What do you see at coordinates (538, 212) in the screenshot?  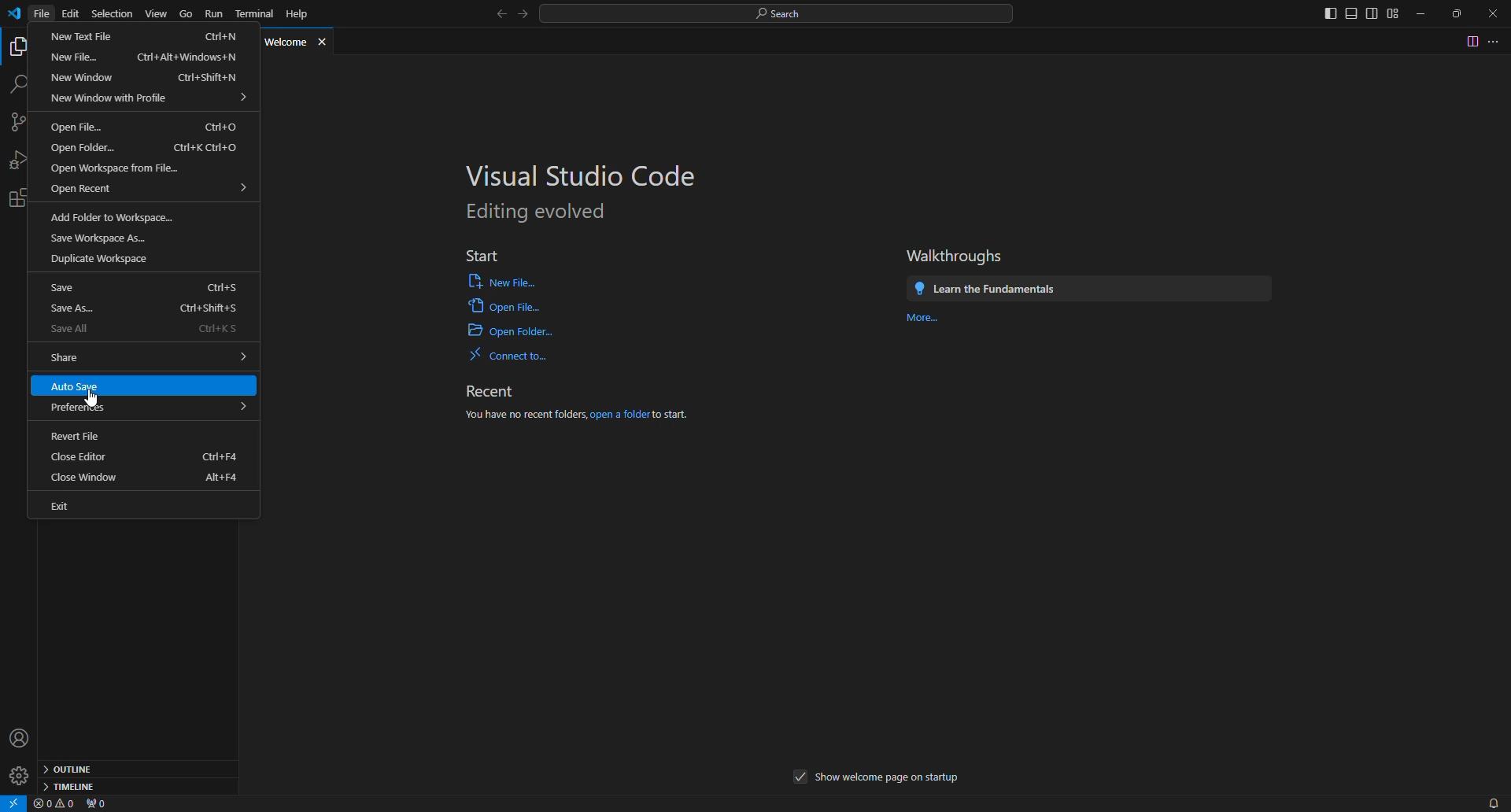 I see `editing evolved` at bounding box center [538, 212].